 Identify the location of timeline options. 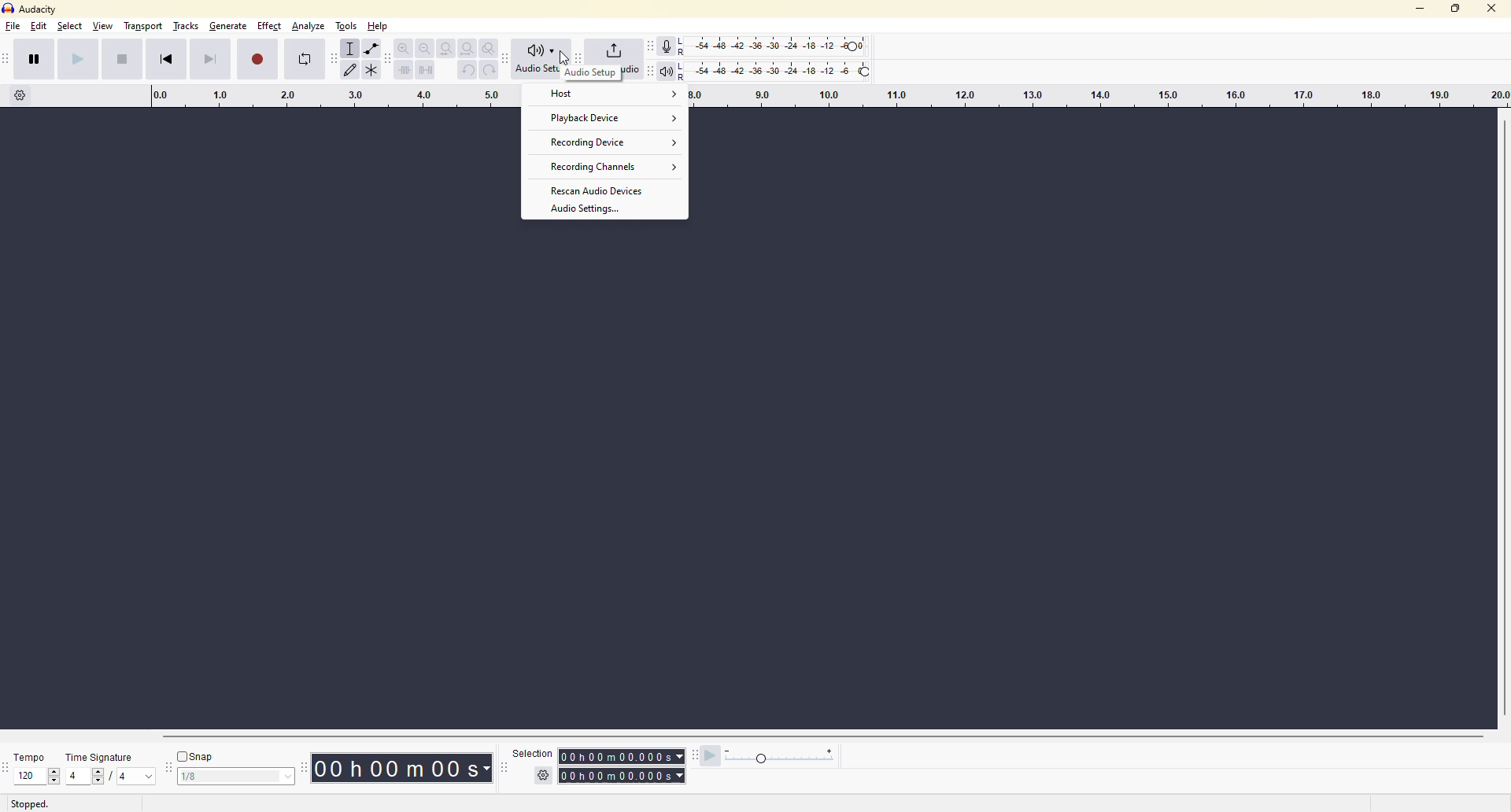
(22, 98).